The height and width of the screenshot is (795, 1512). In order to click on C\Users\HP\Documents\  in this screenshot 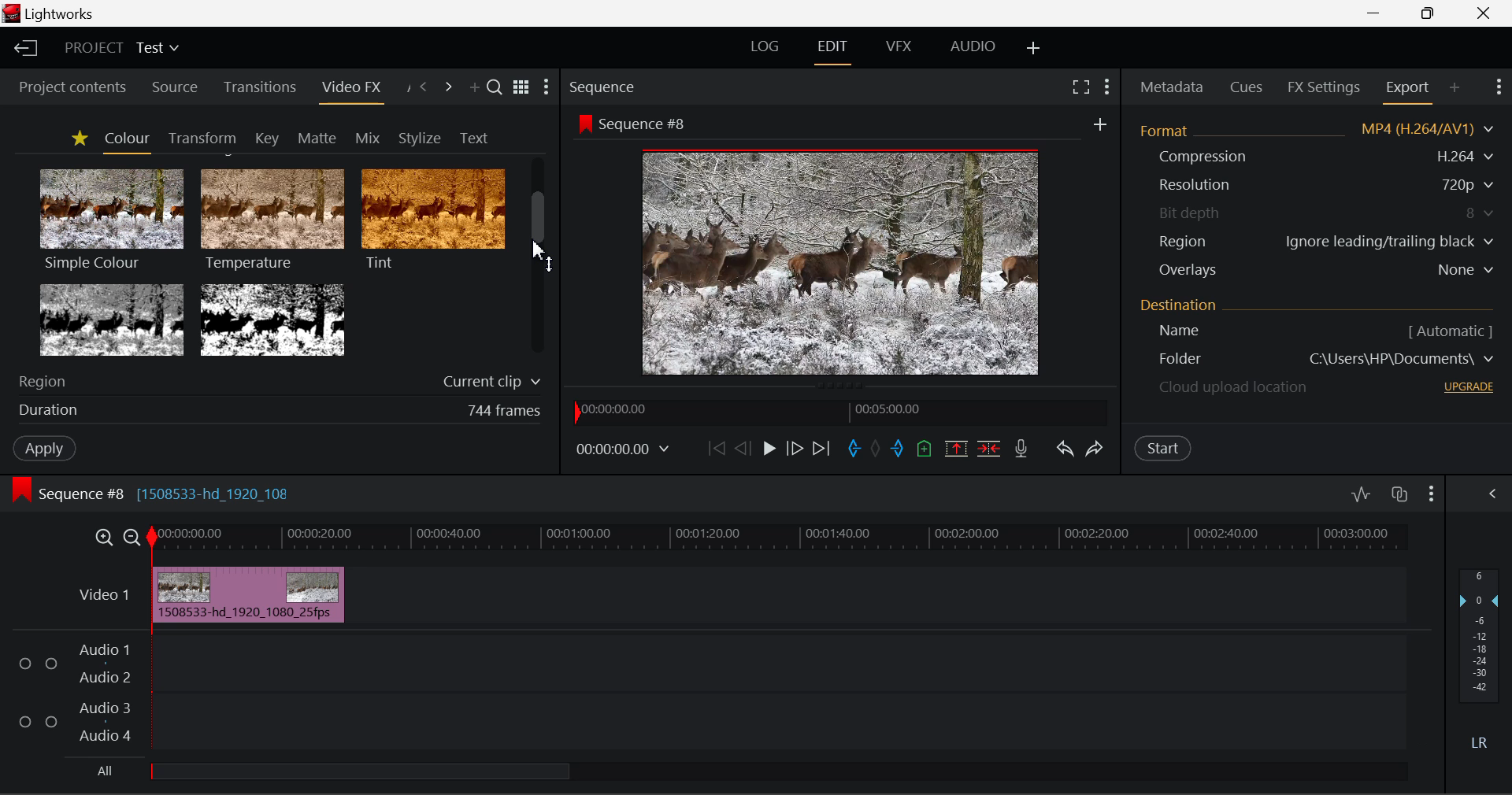, I will do `click(1402, 358)`.